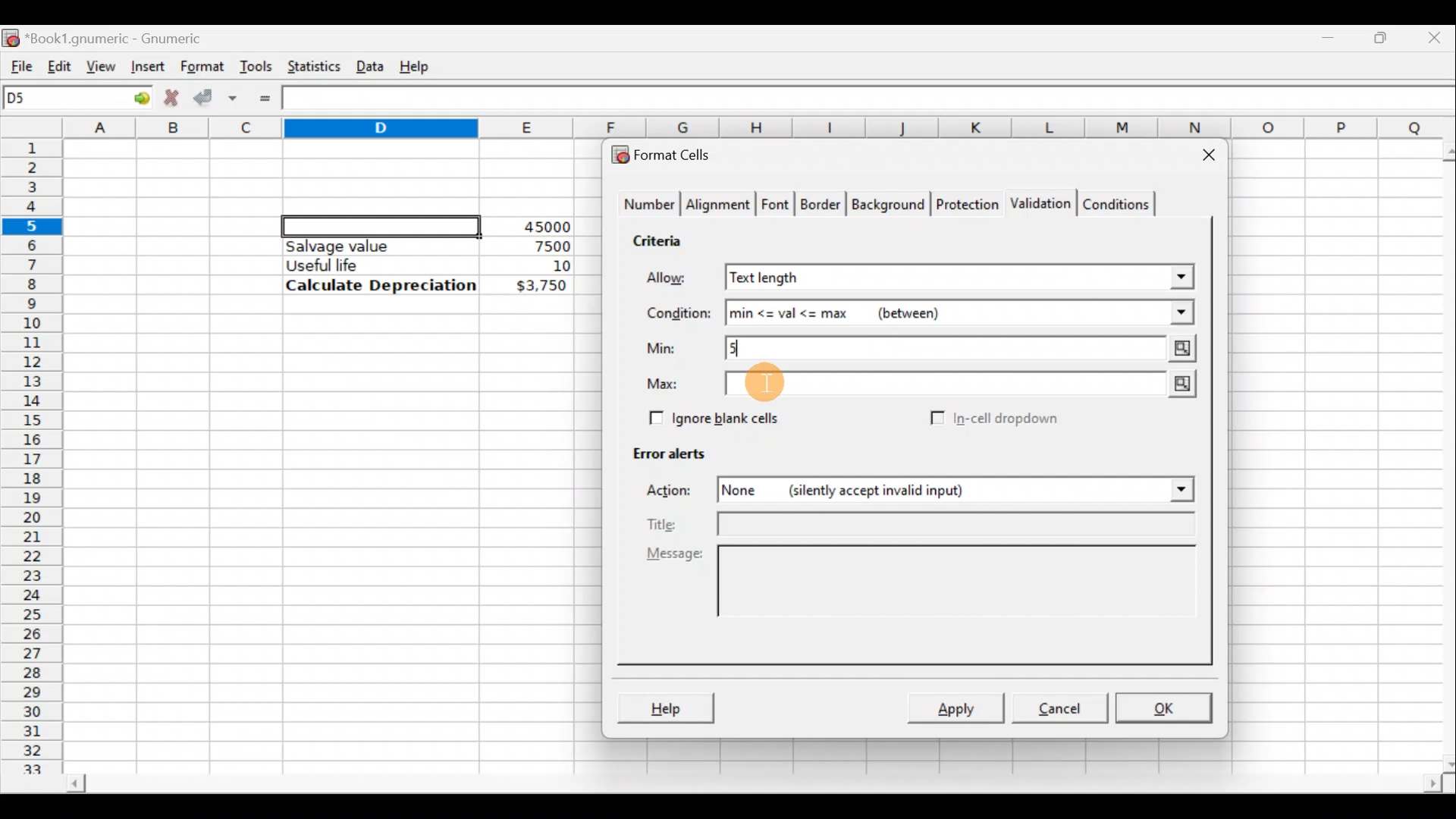 Image resolution: width=1456 pixels, height=819 pixels. What do you see at coordinates (925, 598) in the screenshot?
I see `Message` at bounding box center [925, 598].